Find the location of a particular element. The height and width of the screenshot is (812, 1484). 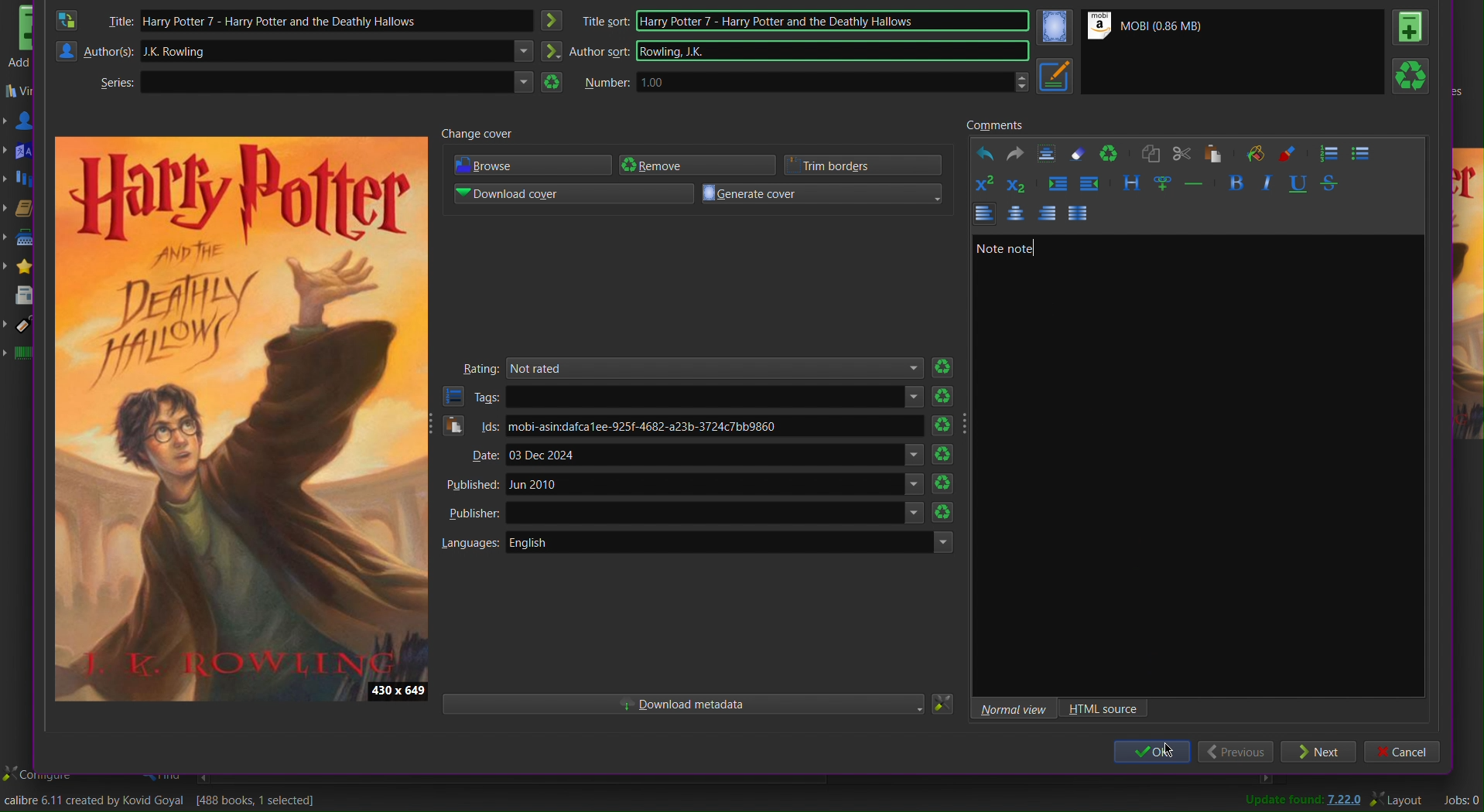

Date is located at coordinates (477, 456).